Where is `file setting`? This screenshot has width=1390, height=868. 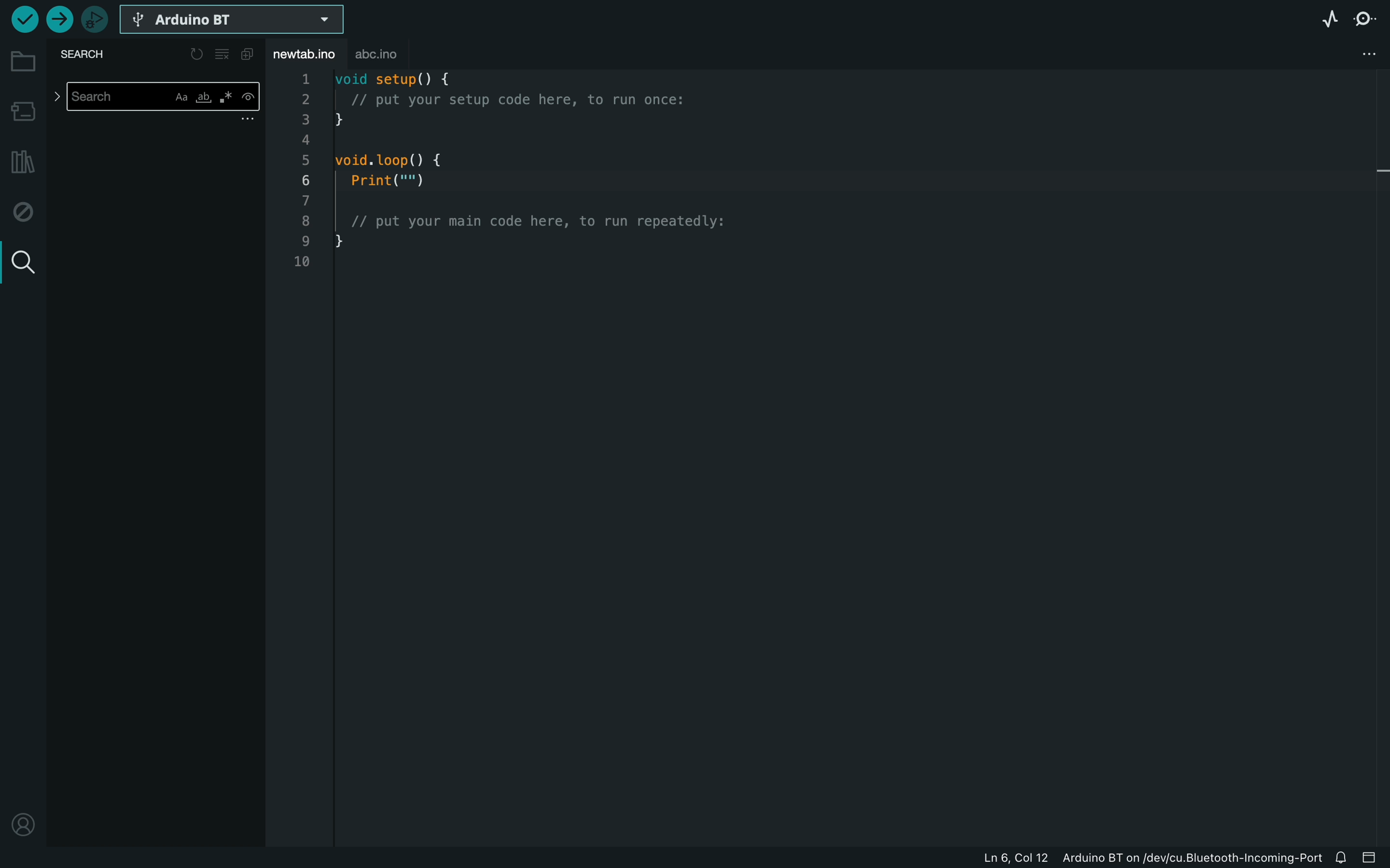
file setting is located at coordinates (1362, 54).